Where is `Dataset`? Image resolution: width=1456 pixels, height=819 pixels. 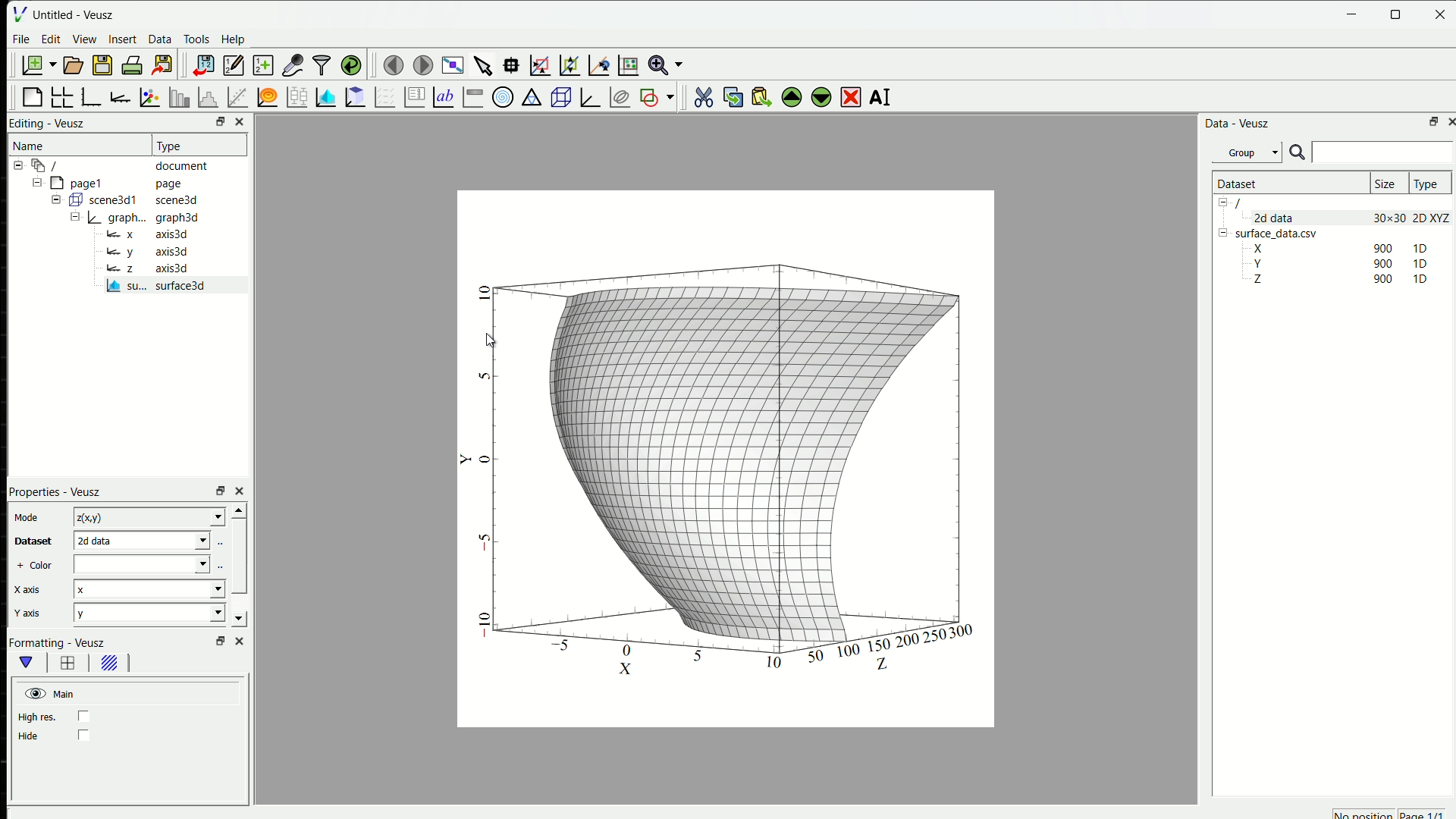 Dataset is located at coordinates (1239, 184).